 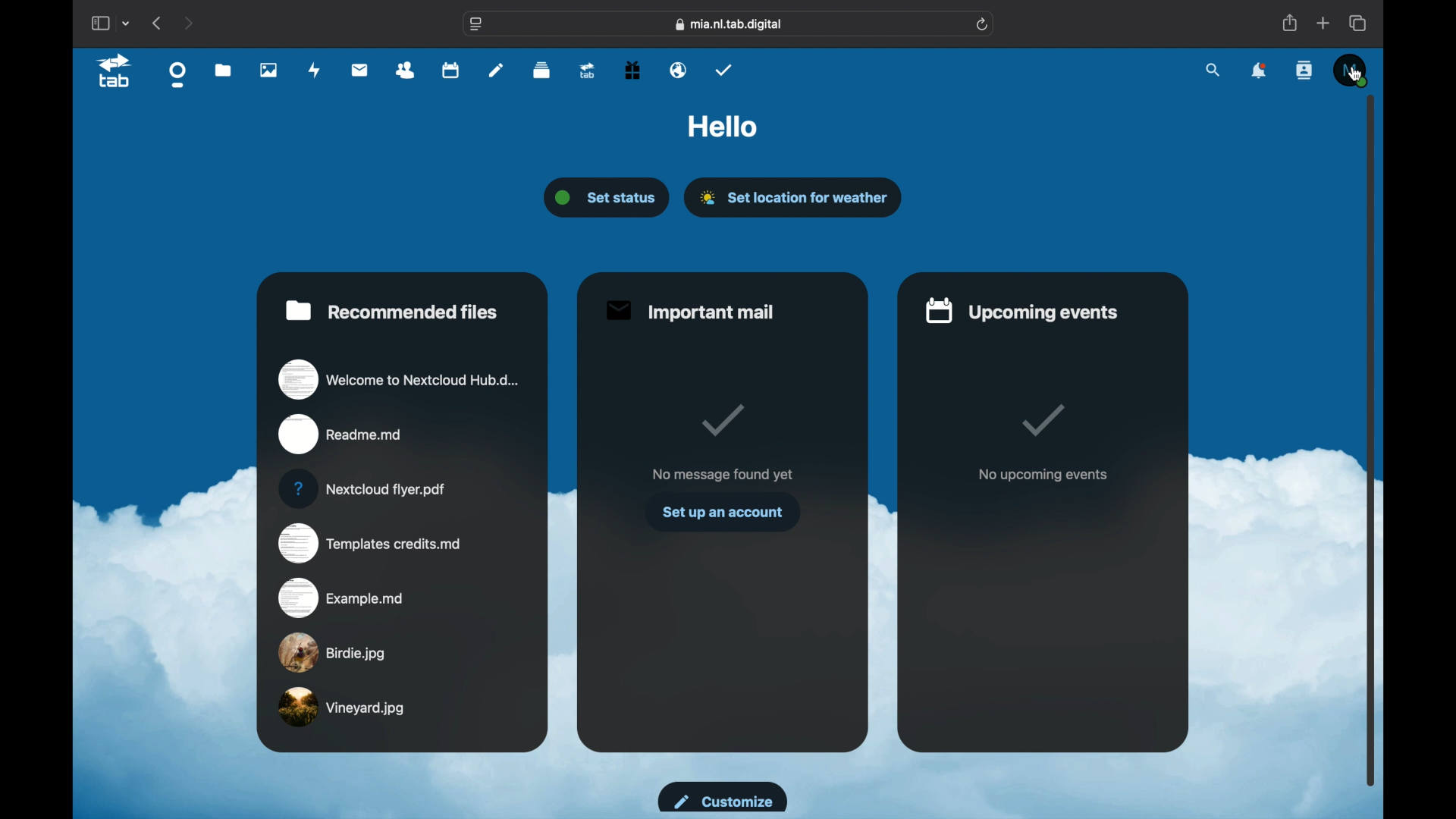 I want to click on contacts, so click(x=406, y=70).